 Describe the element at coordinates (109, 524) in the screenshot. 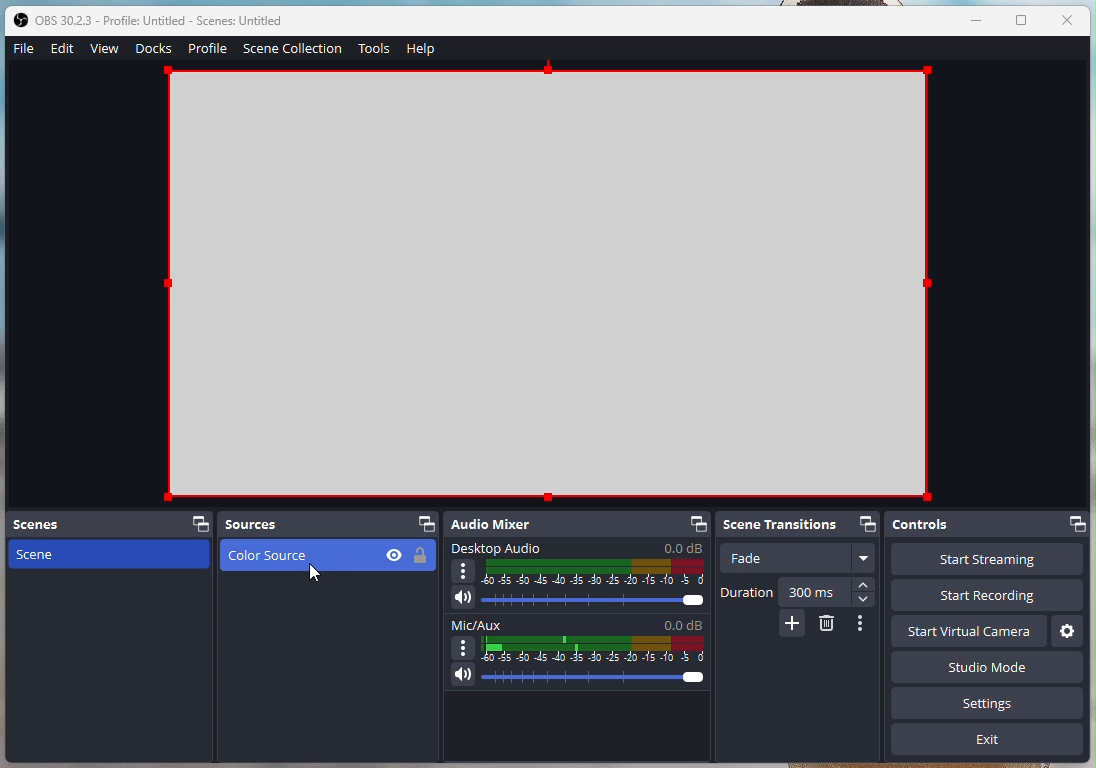

I see `Scenes` at that location.